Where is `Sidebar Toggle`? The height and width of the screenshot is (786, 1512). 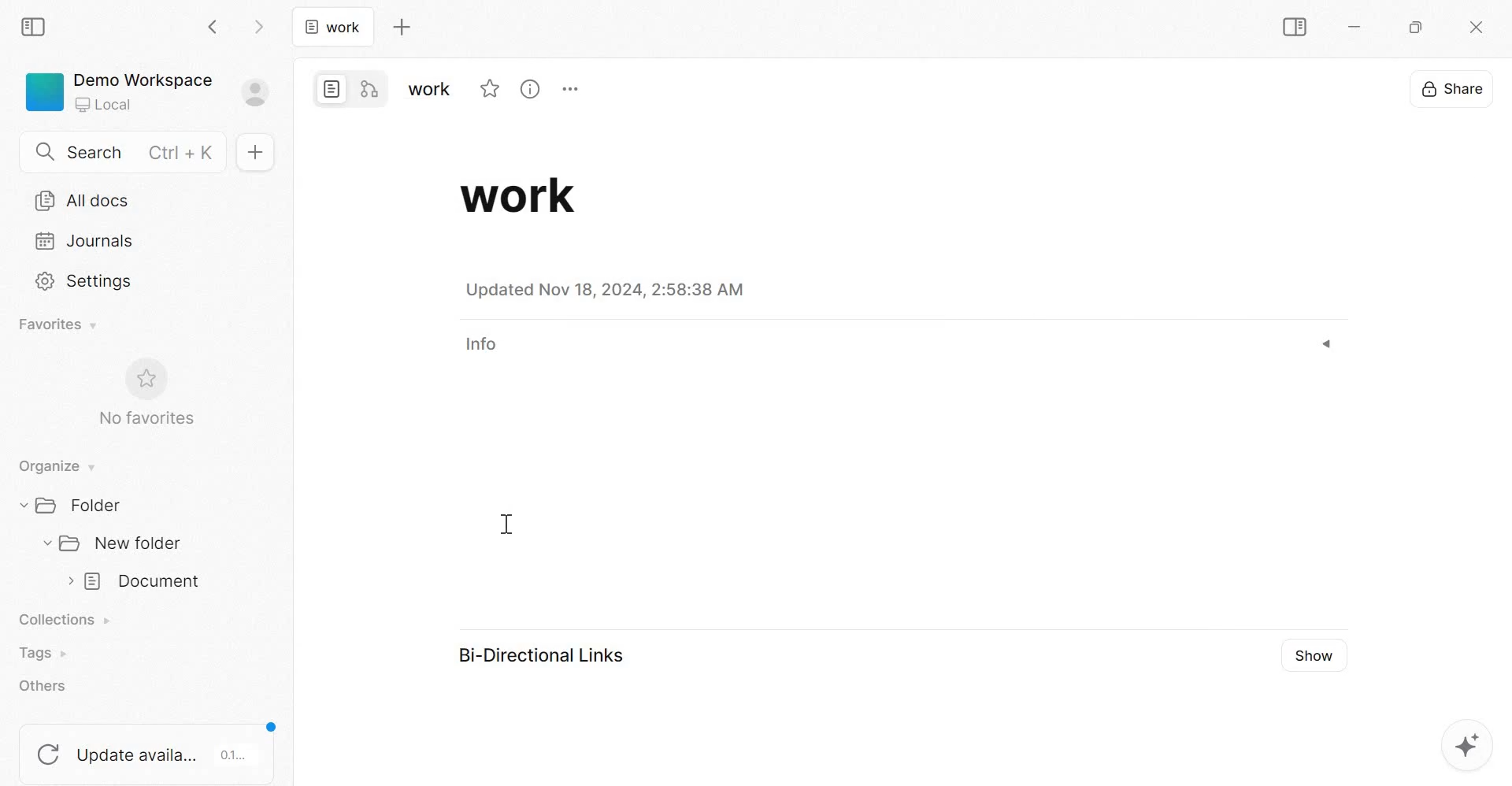 Sidebar Toggle is located at coordinates (1291, 28).